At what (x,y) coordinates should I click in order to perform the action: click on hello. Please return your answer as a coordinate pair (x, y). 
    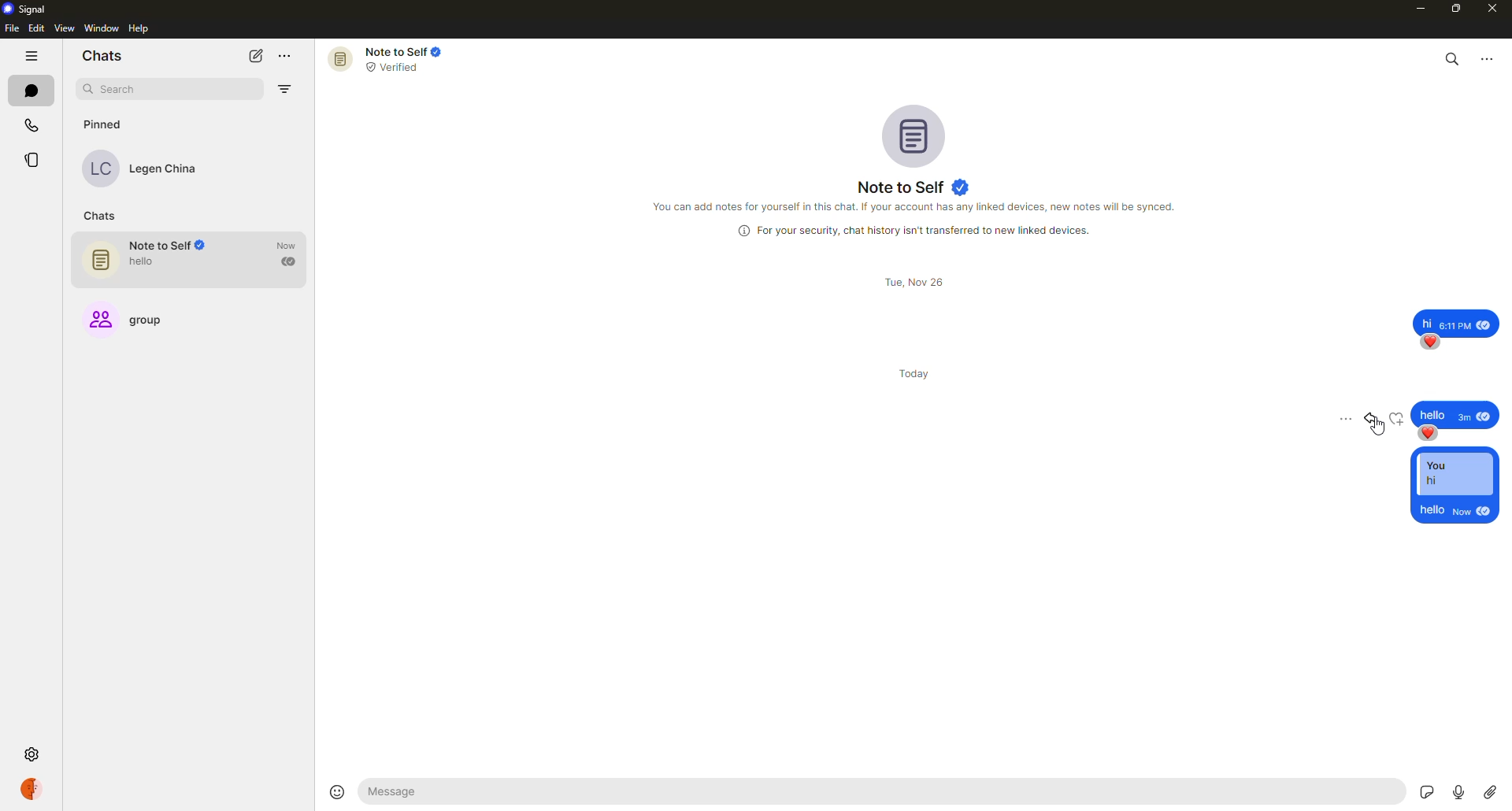
    Looking at the image, I should click on (407, 791).